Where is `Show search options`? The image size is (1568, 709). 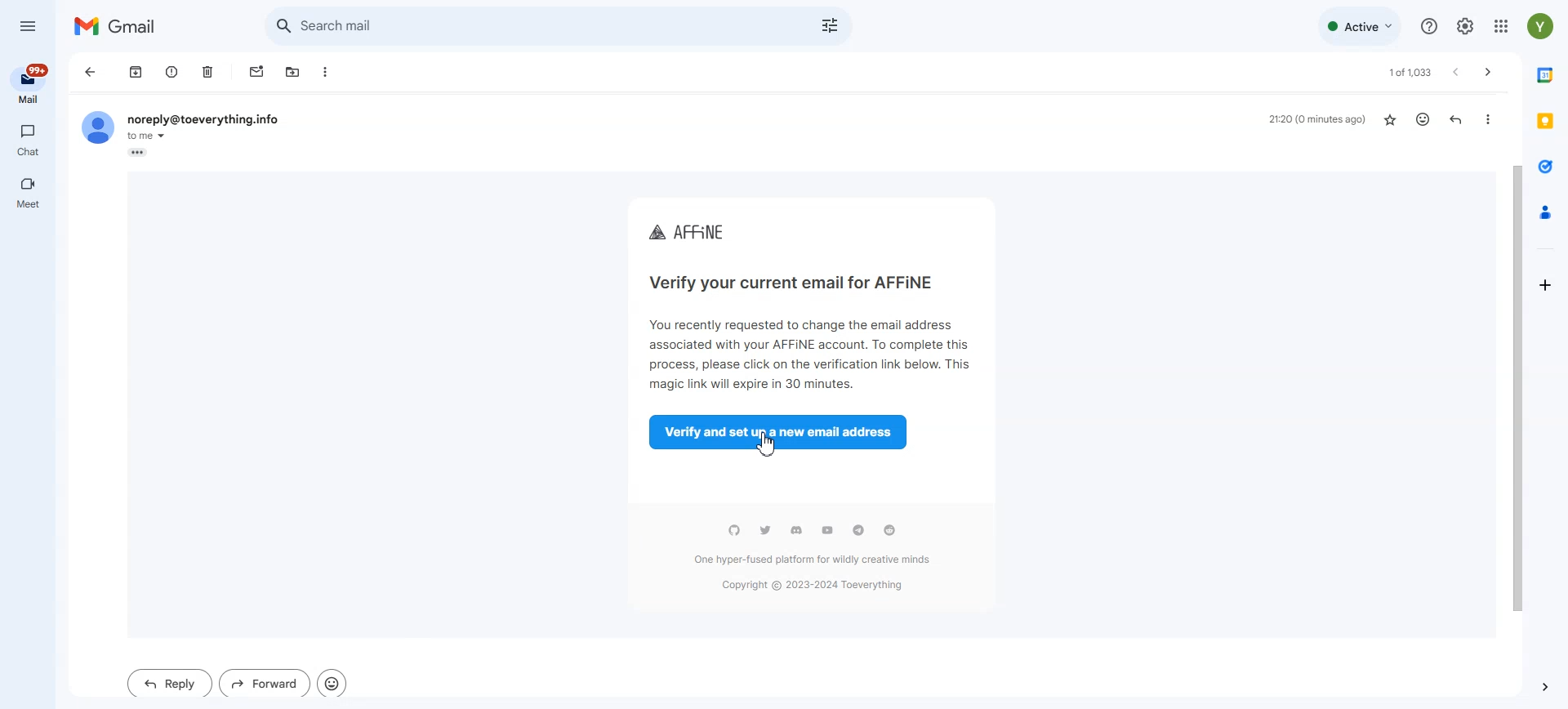 Show search options is located at coordinates (831, 26).